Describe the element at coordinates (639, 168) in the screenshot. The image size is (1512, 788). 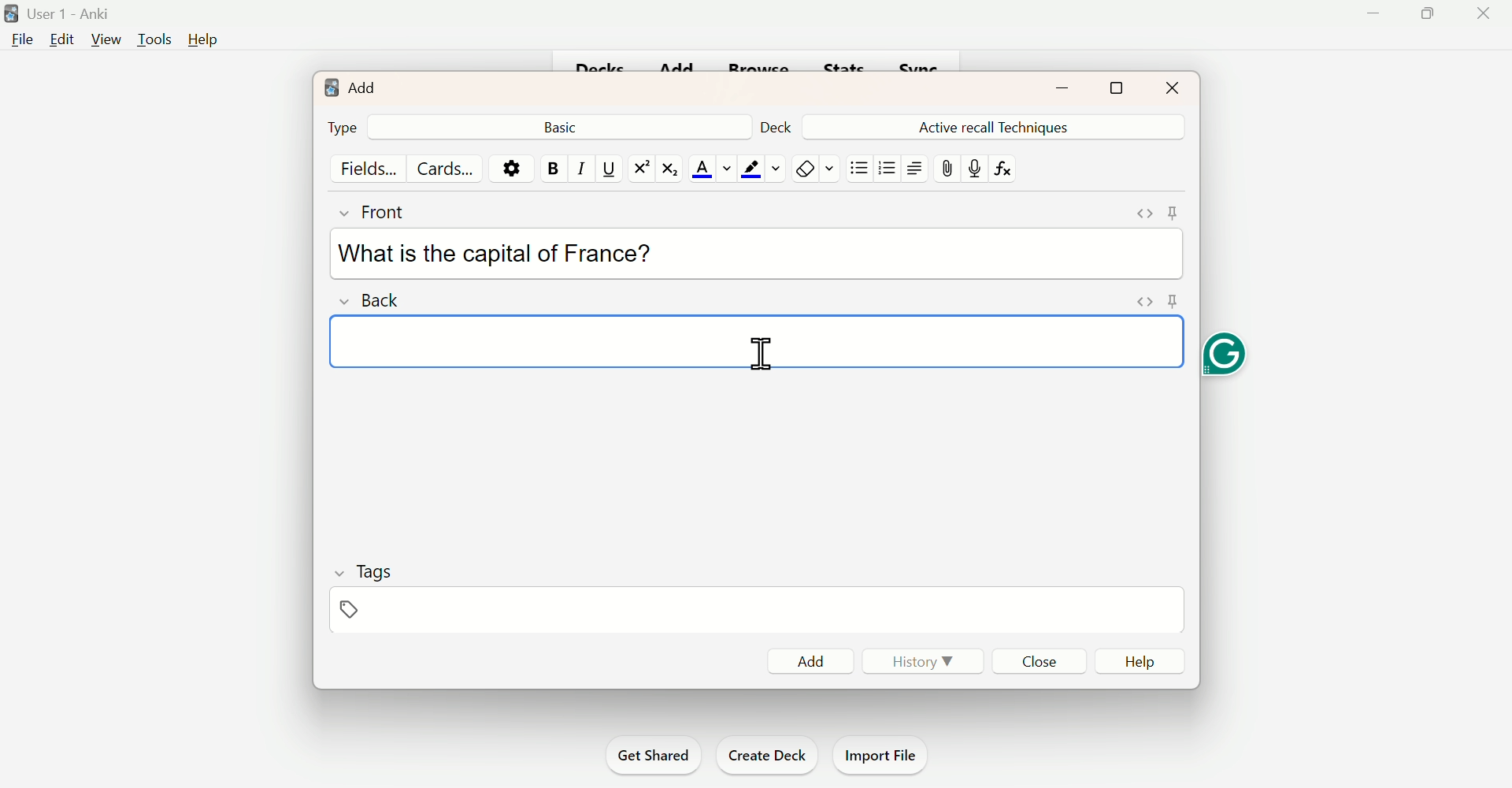
I see `Superscript` at that location.